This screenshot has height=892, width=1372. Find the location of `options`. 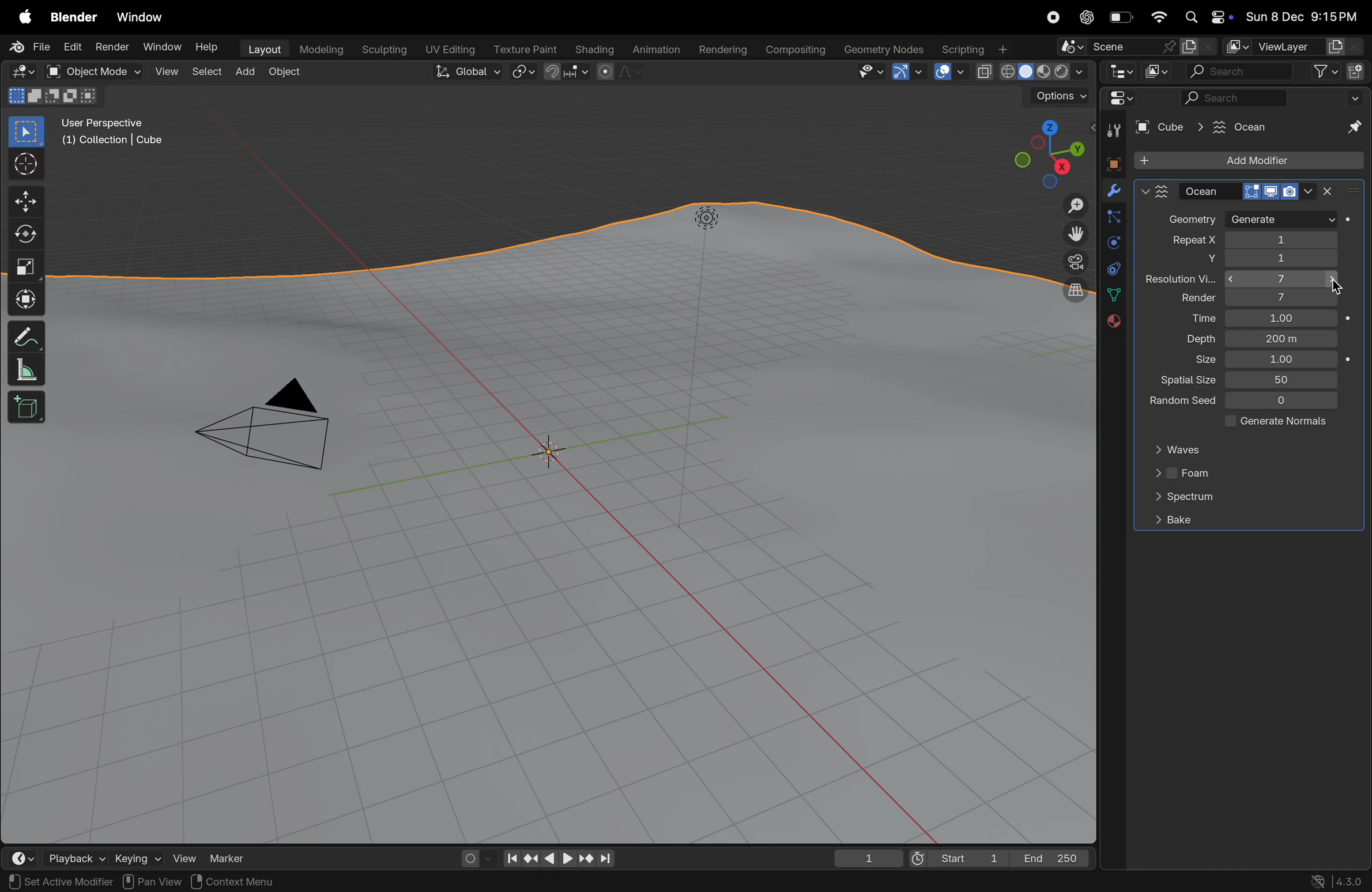

options is located at coordinates (1058, 97).